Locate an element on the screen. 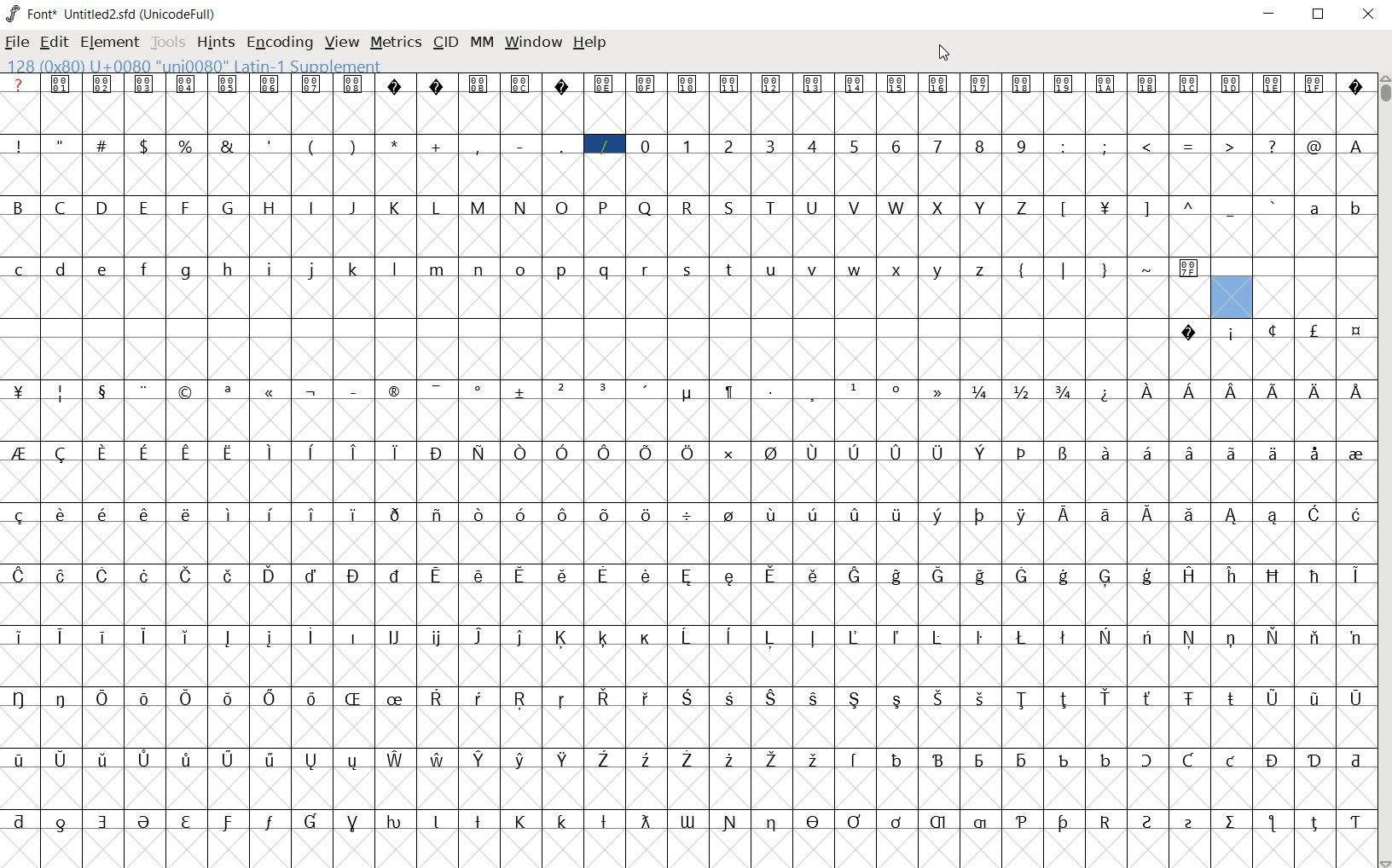  glyph is located at coordinates (814, 759).